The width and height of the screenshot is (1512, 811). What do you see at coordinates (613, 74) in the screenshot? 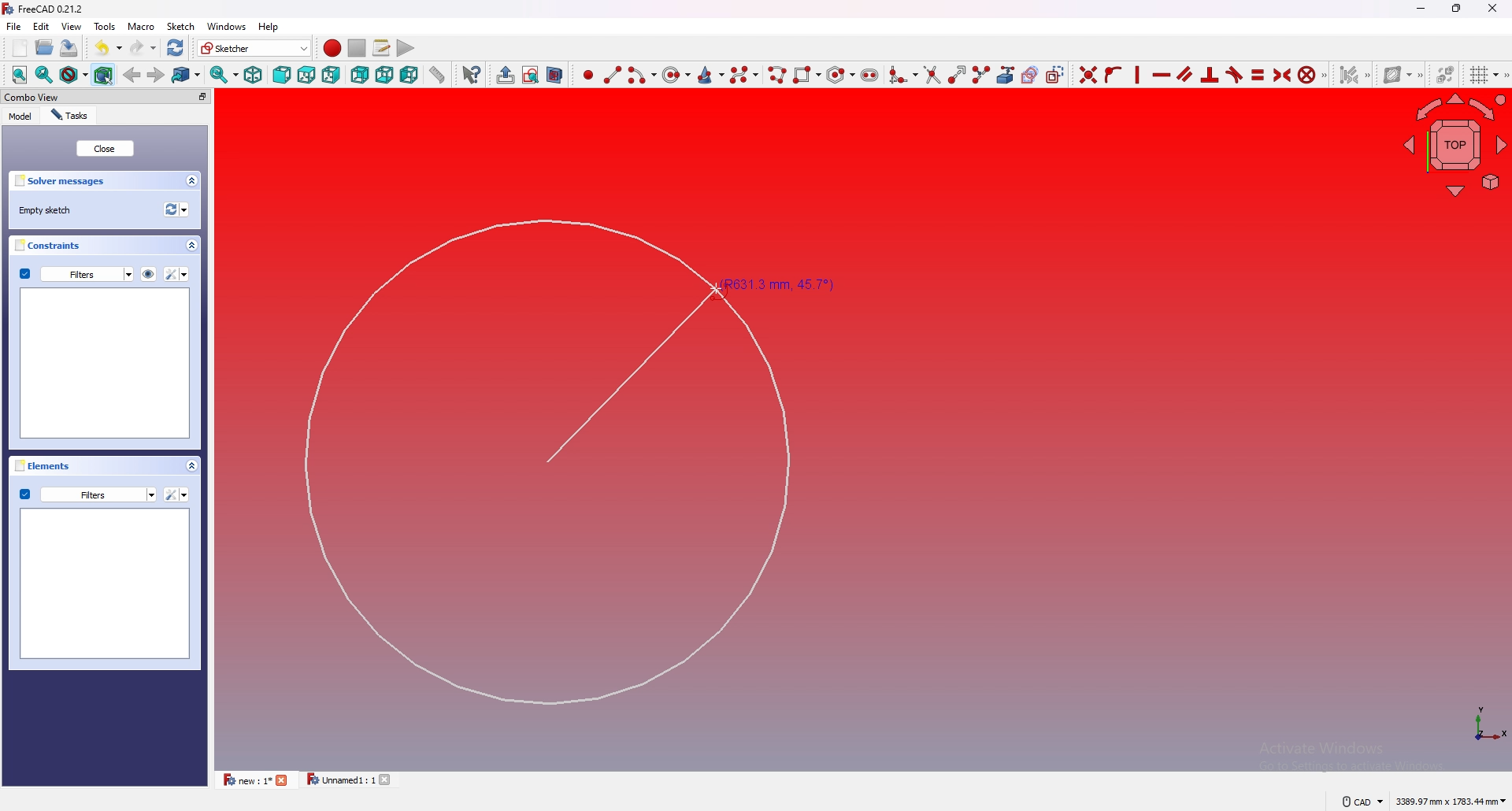
I see `create line` at bounding box center [613, 74].